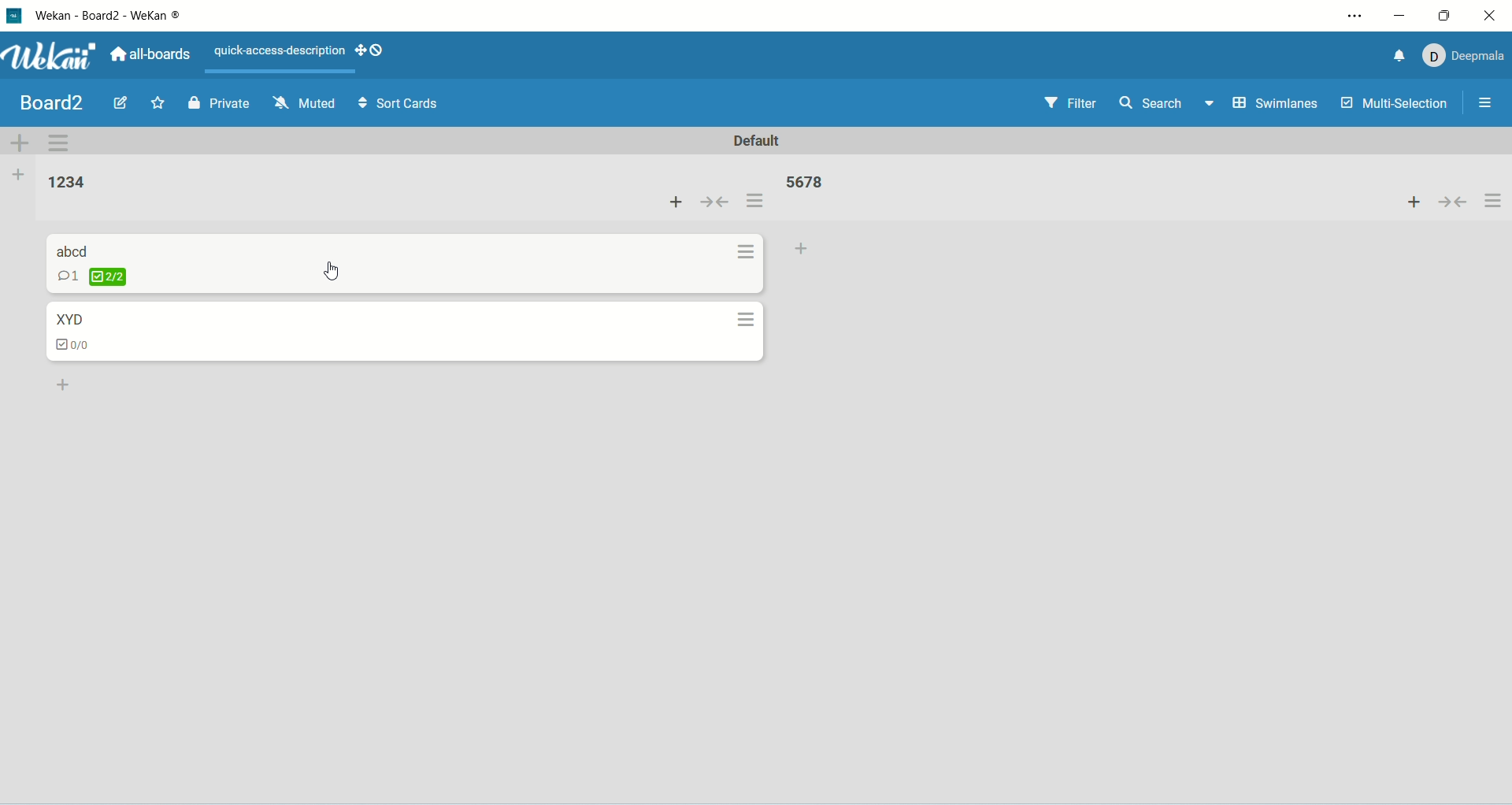 This screenshot has width=1512, height=805. Describe the element at coordinates (157, 104) in the screenshot. I see `favorite` at that location.